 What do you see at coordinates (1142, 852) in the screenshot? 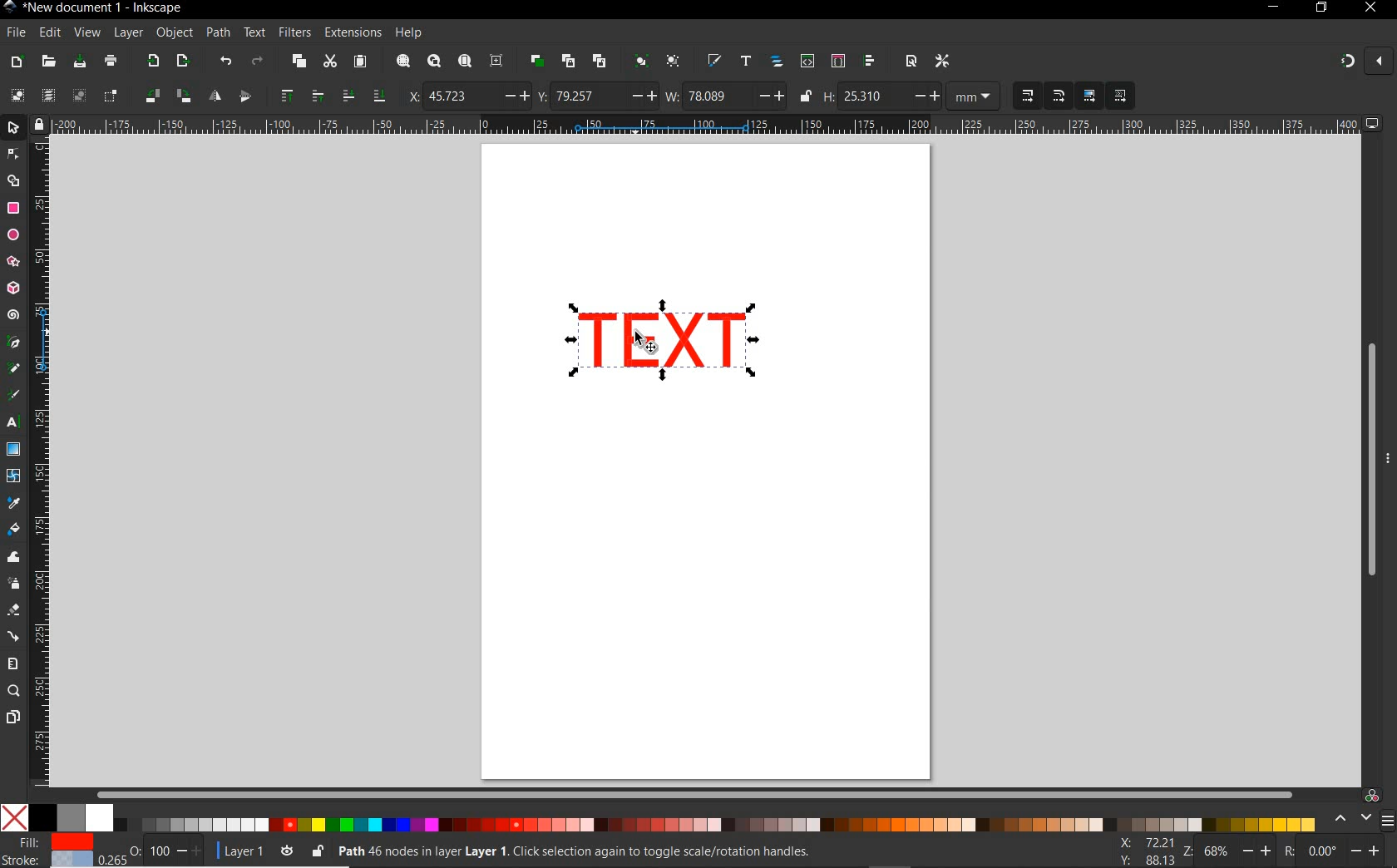
I see `CURSOR COORDINATES` at bounding box center [1142, 852].